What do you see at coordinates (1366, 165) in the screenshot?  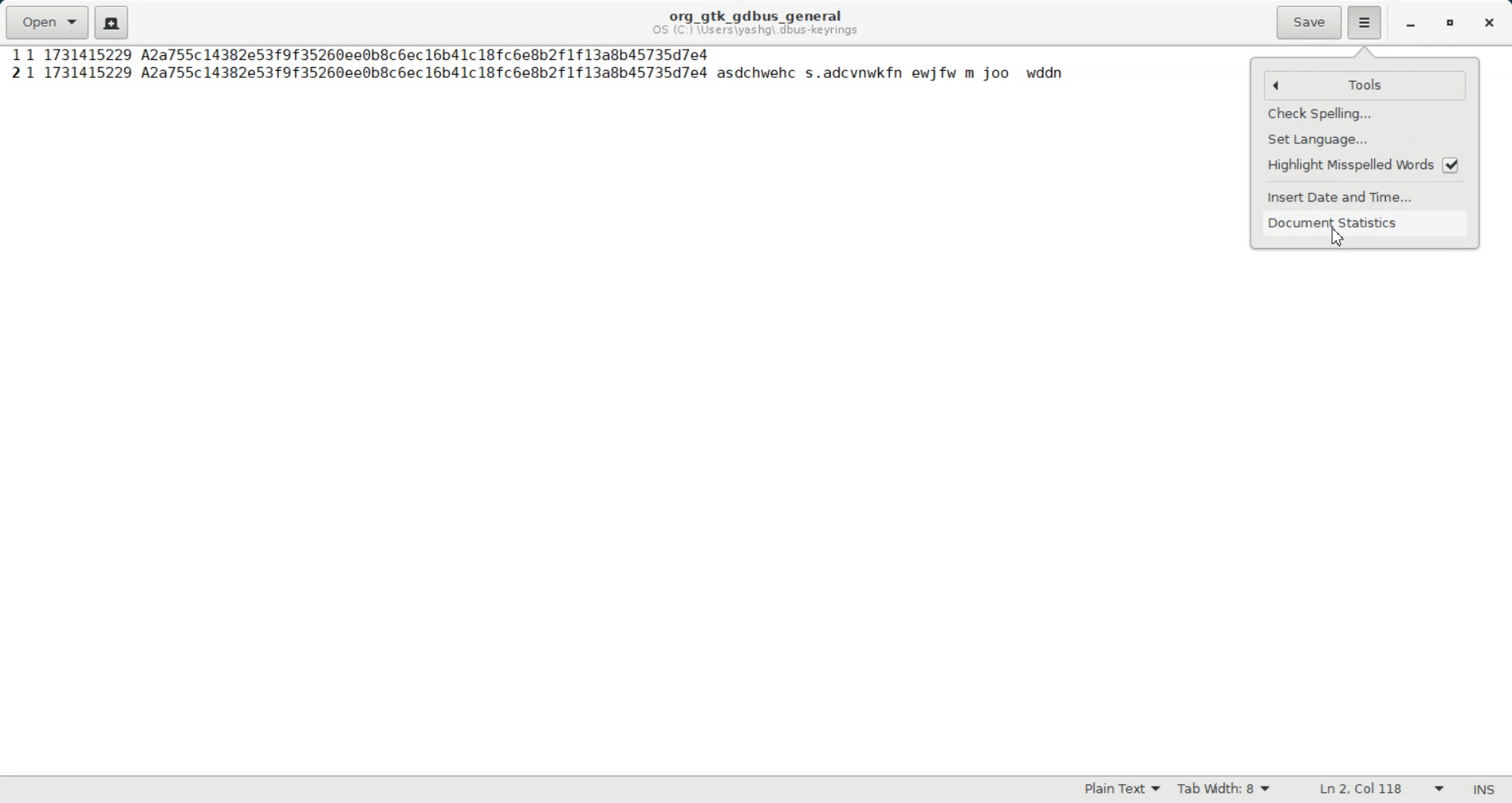 I see `Disable Highlight Misspelled Words` at bounding box center [1366, 165].